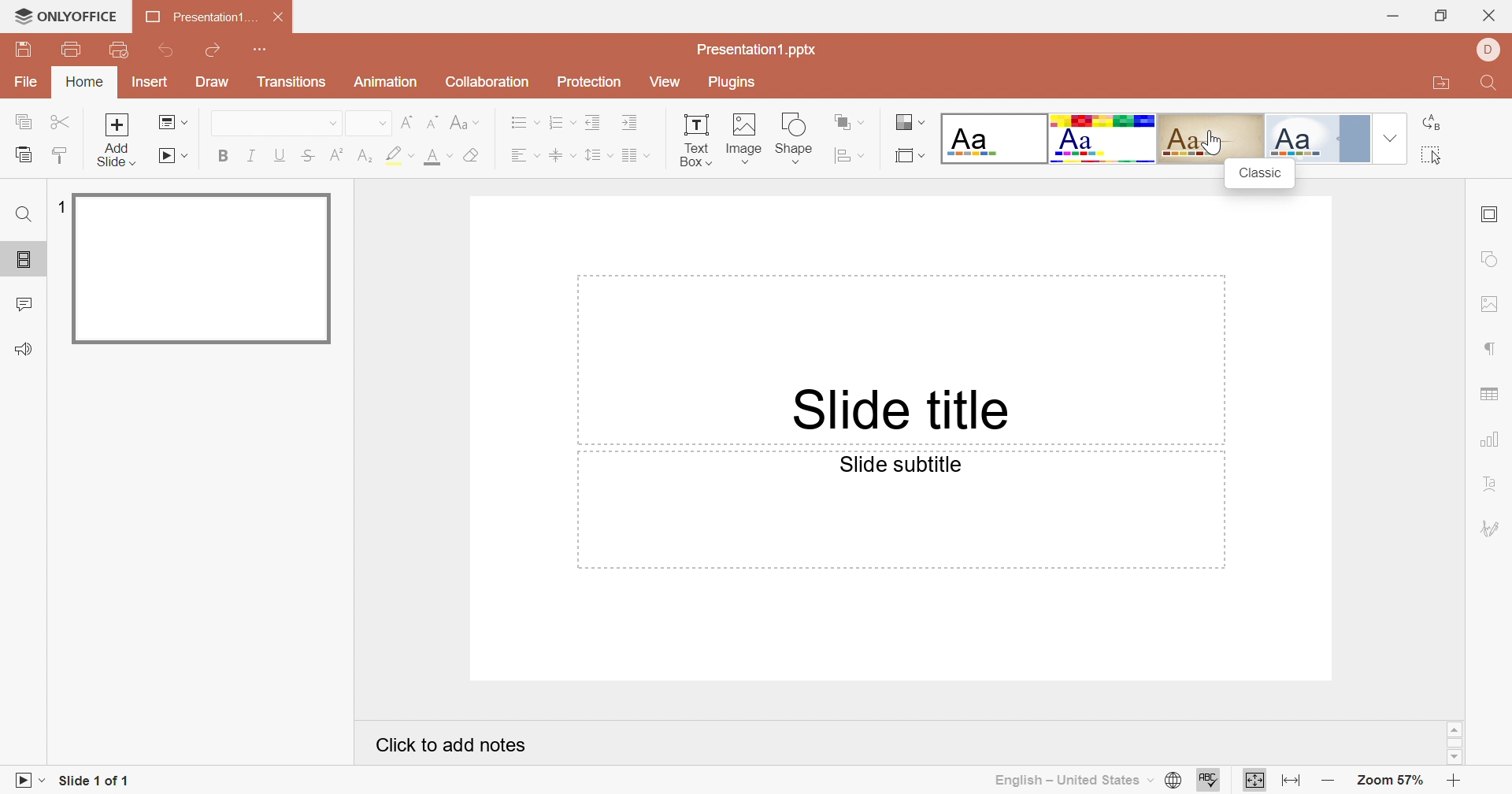  I want to click on Italic, so click(250, 158).